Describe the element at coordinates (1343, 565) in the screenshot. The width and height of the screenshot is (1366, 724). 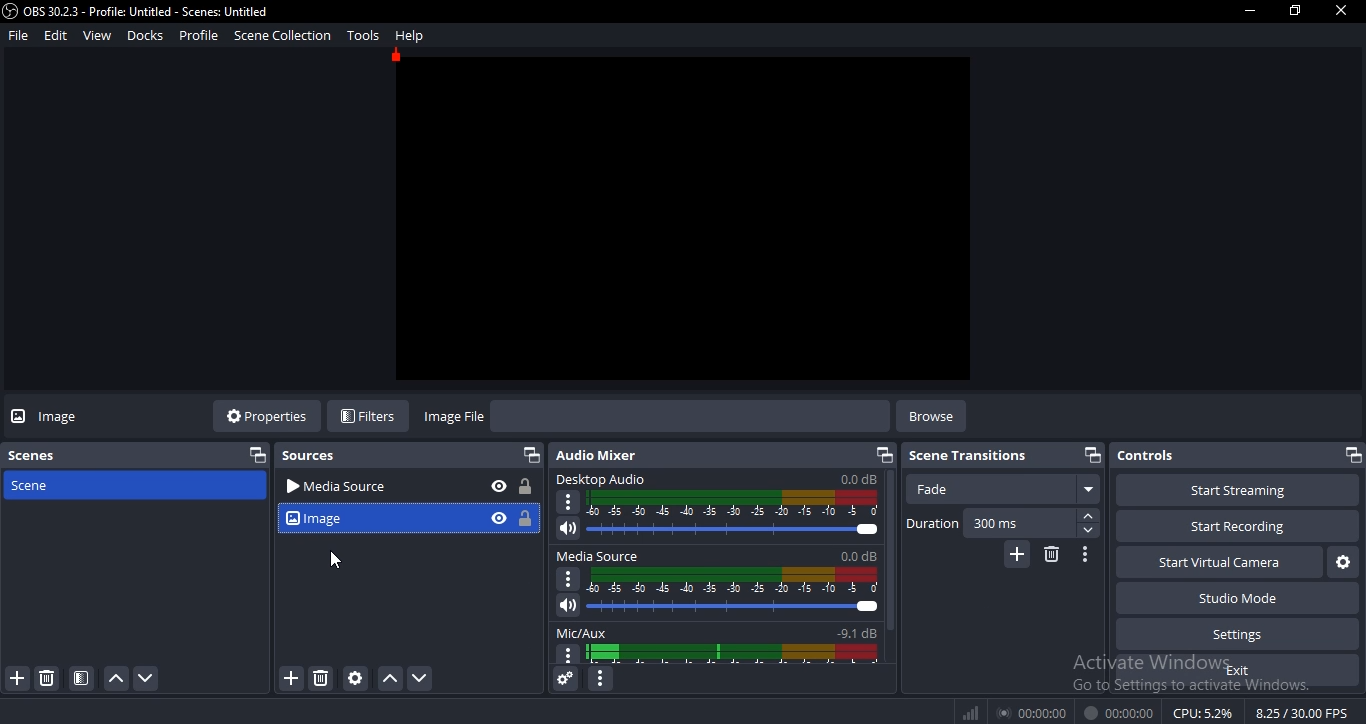
I see `virtual camera settings` at that location.